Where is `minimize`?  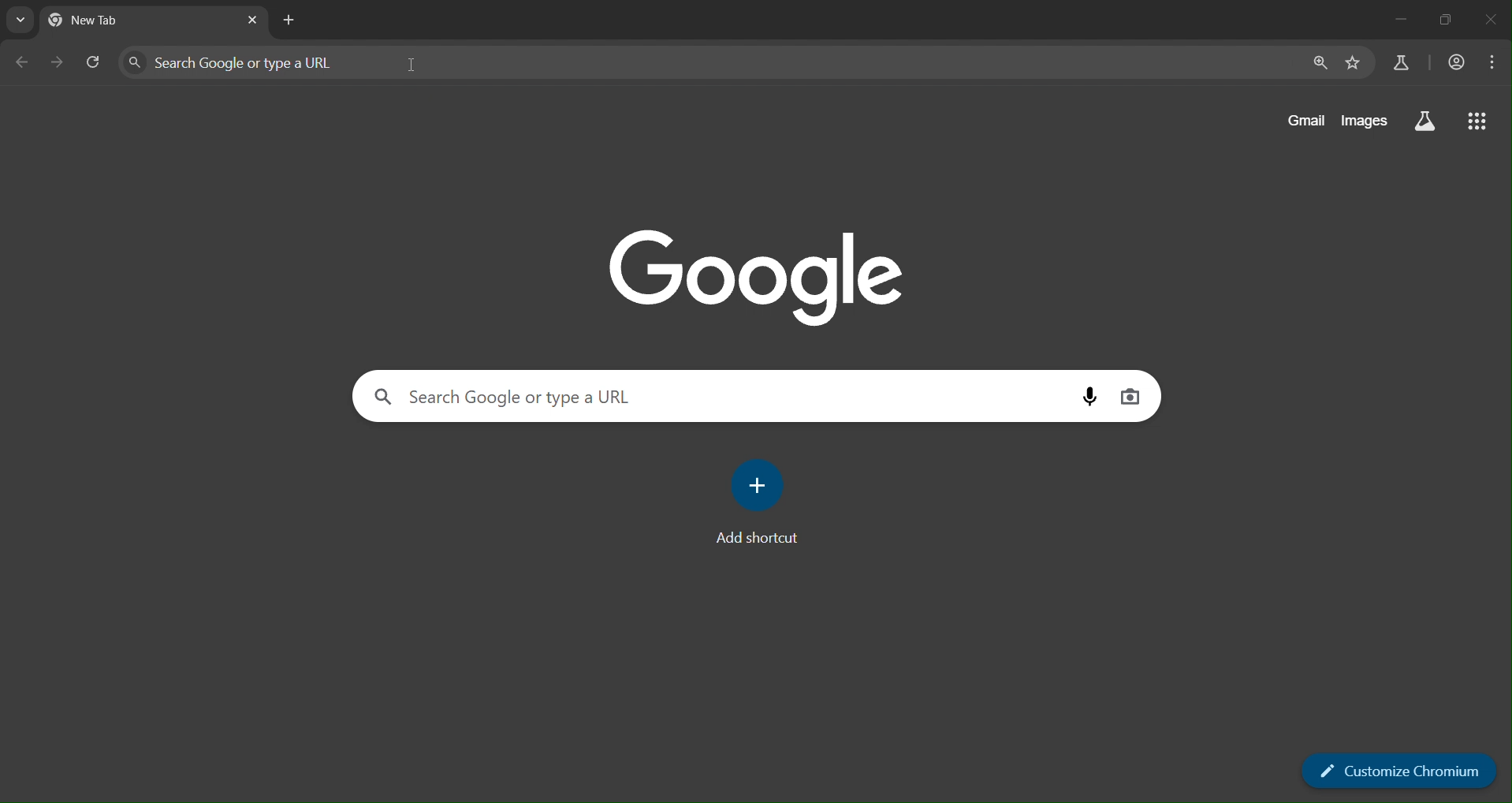
minimize is located at coordinates (1398, 19).